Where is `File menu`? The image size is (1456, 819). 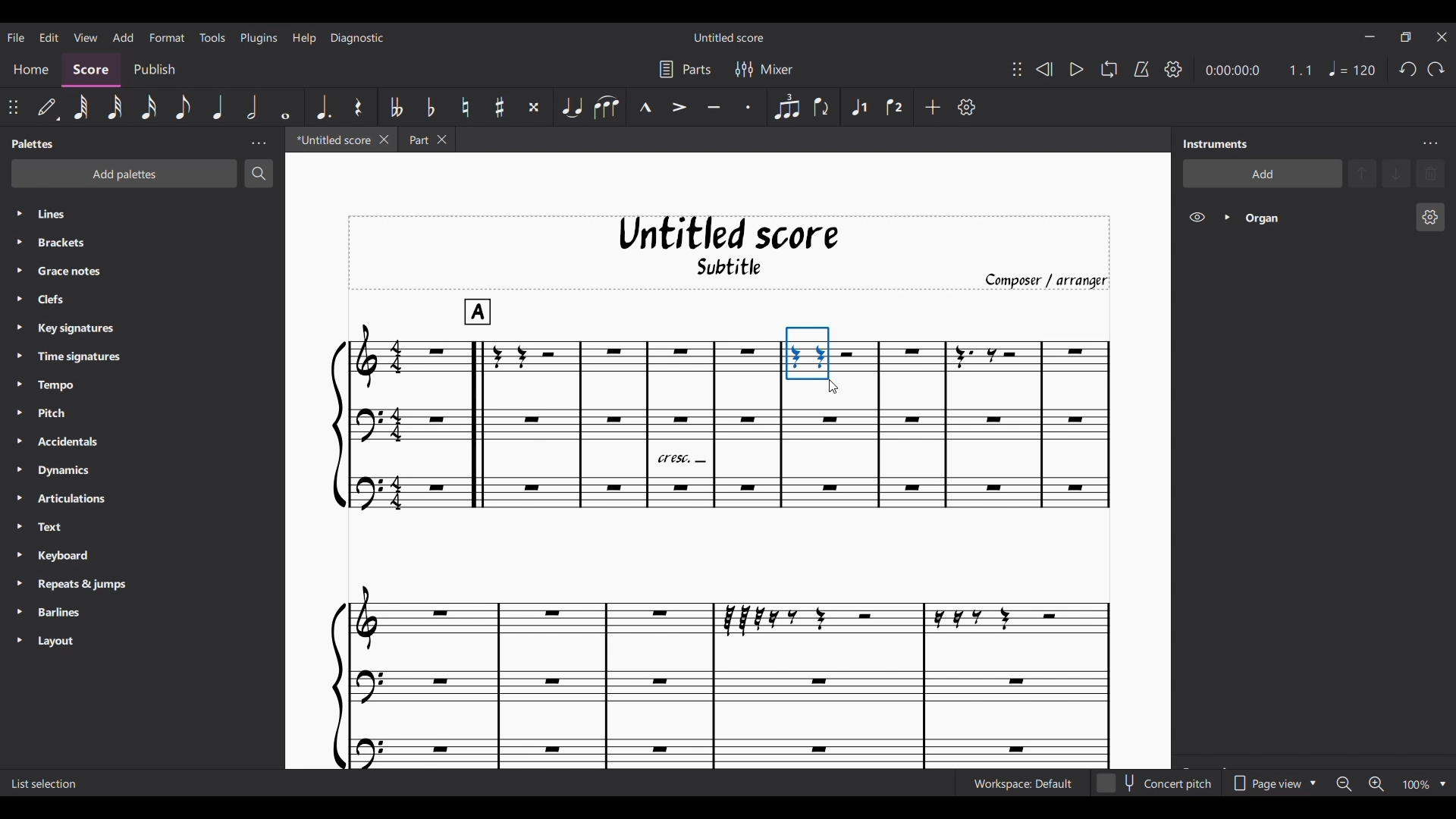 File menu is located at coordinates (15, 36).